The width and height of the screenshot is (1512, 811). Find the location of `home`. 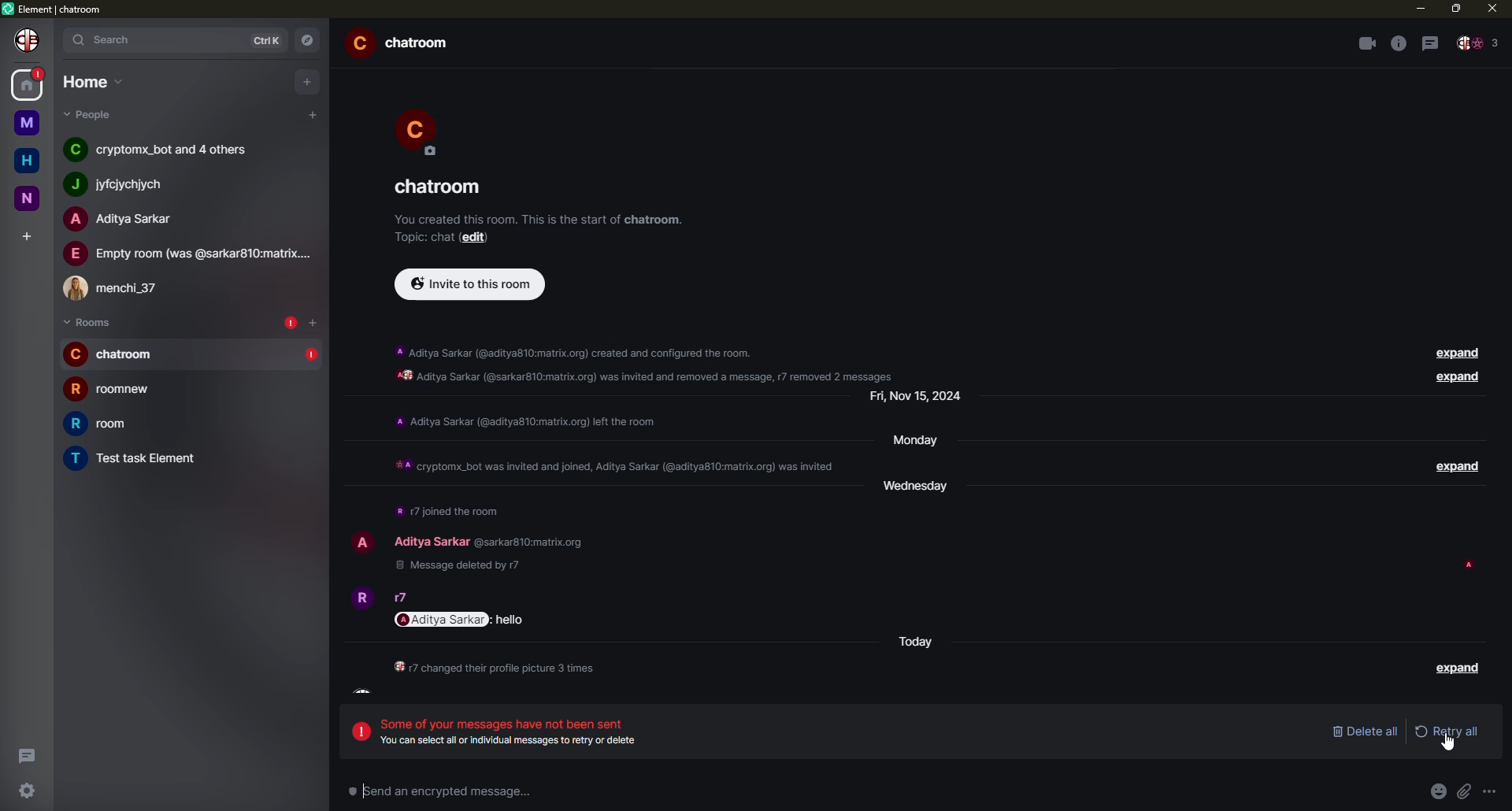

home is located at coordinates (27, 159).